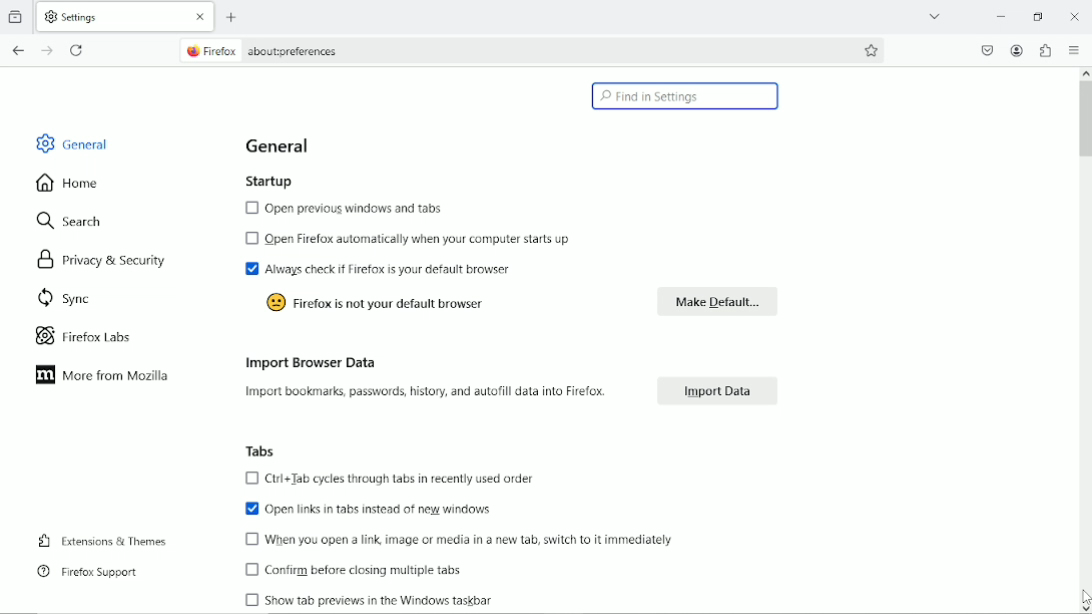  I want to click on Always check if Firefox is your default browser, so click(378, 270).